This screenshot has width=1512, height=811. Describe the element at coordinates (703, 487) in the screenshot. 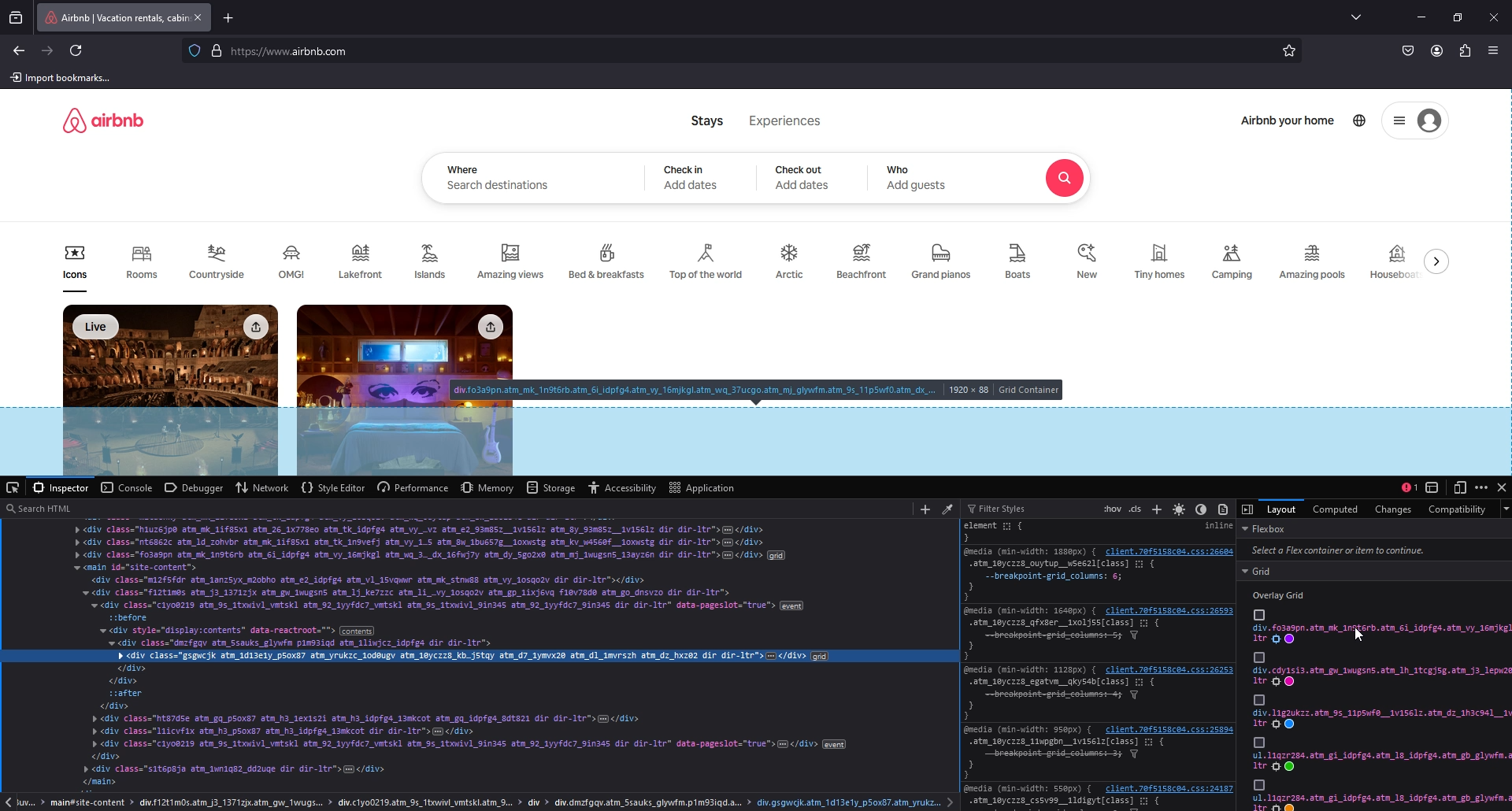

I see `application` at that location.